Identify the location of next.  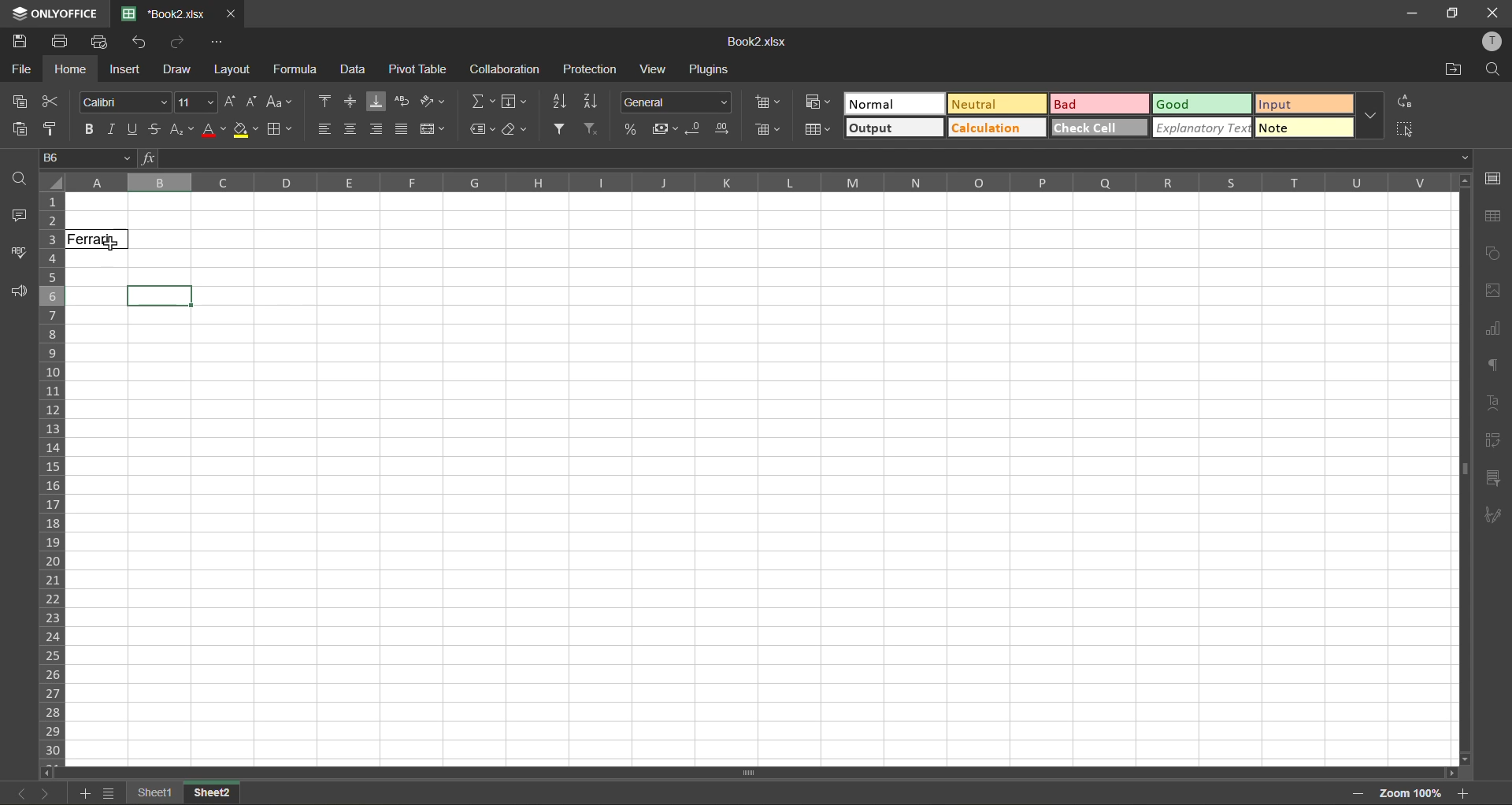
(46, 793).